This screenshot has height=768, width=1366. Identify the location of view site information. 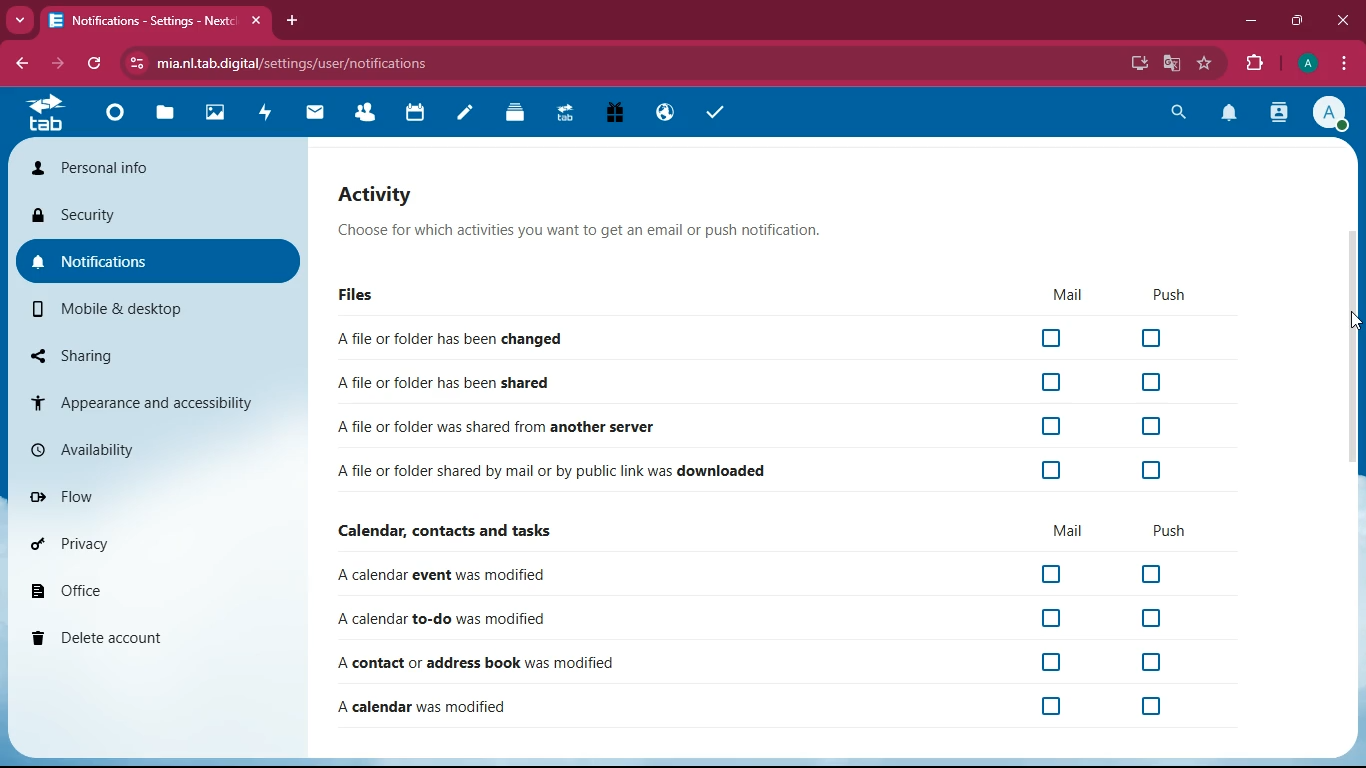
(134, 65).